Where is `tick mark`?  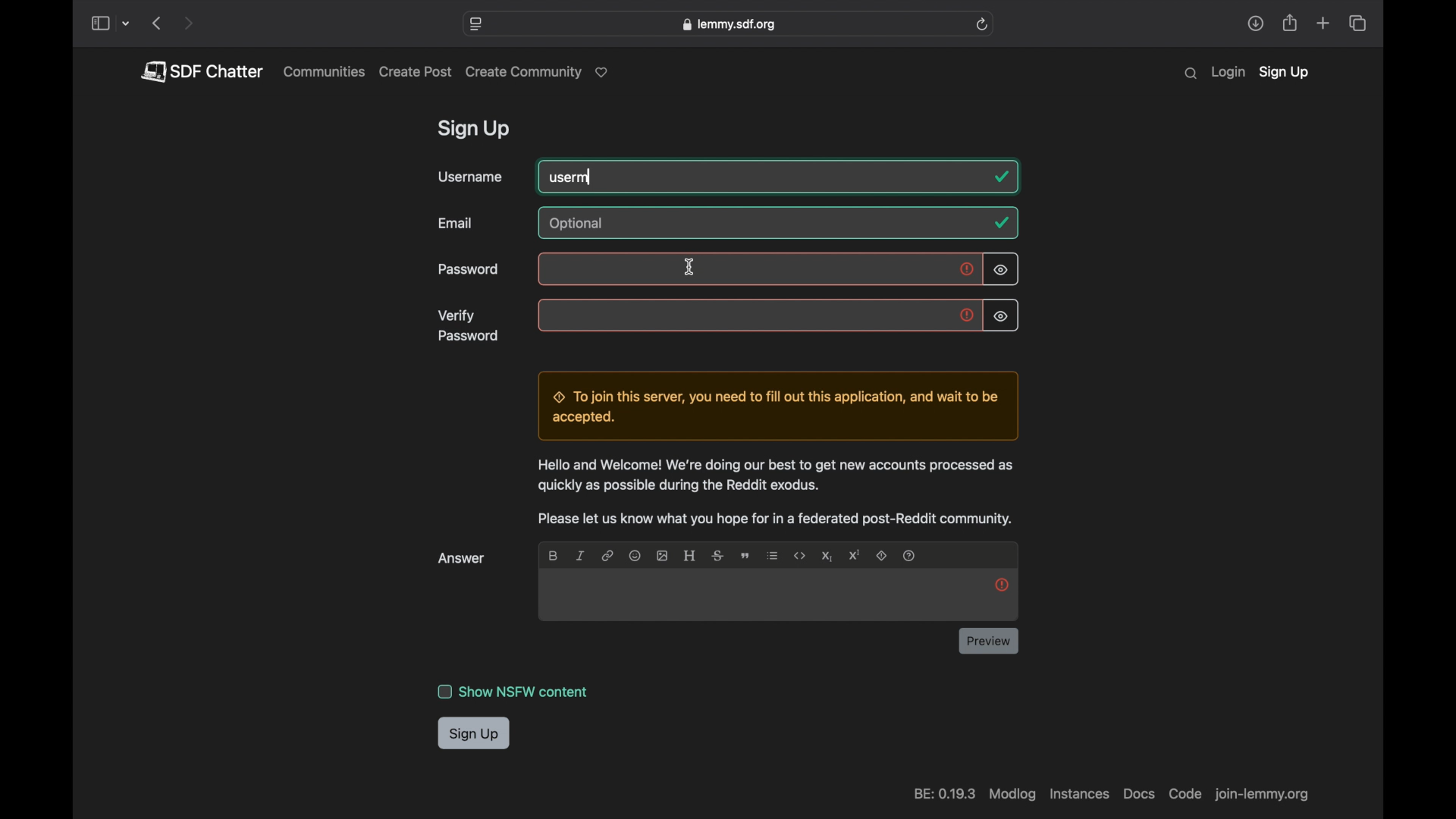 tick mark is located at coordinates (1001, 223).